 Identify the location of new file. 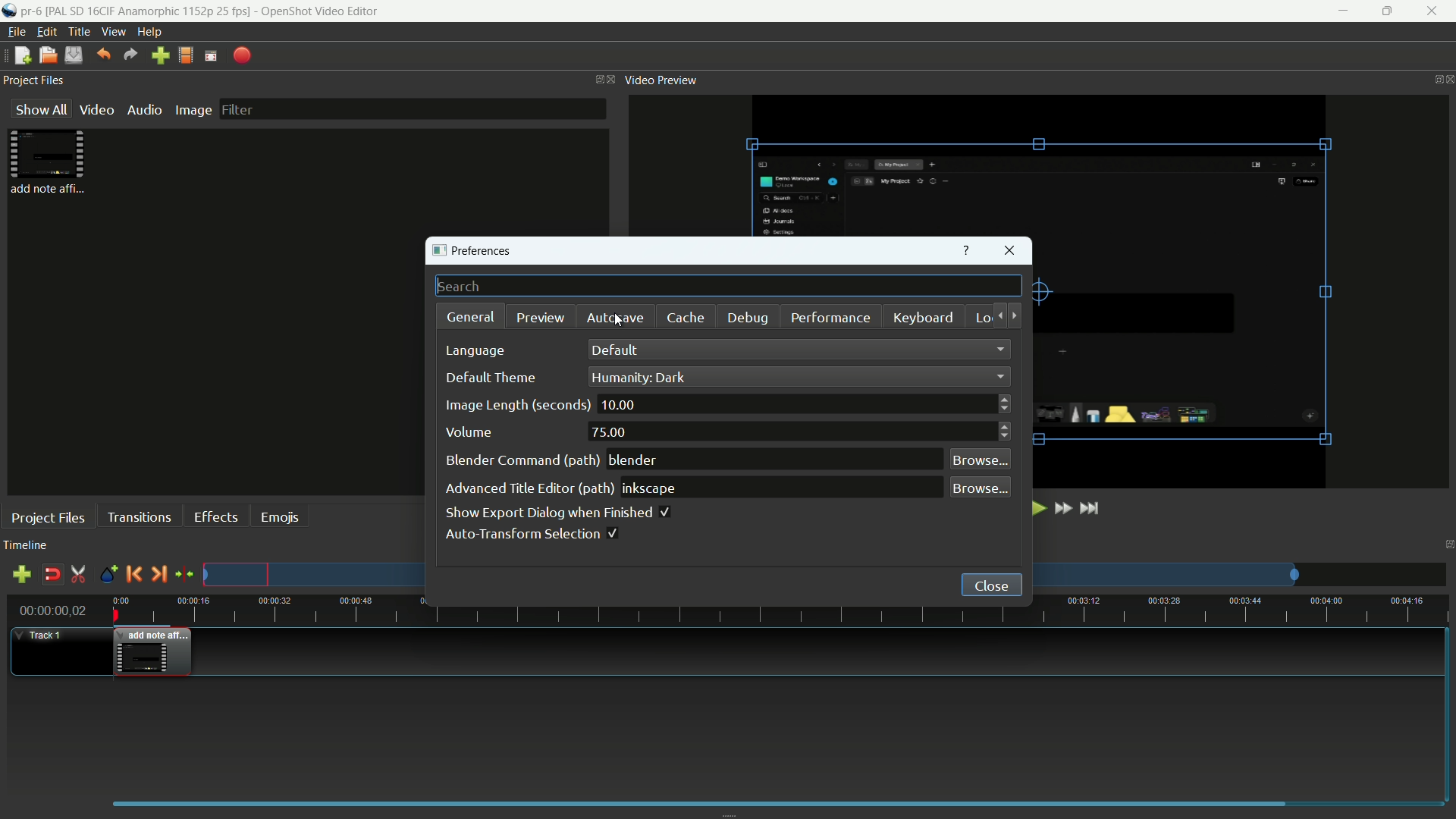
(22, 56).